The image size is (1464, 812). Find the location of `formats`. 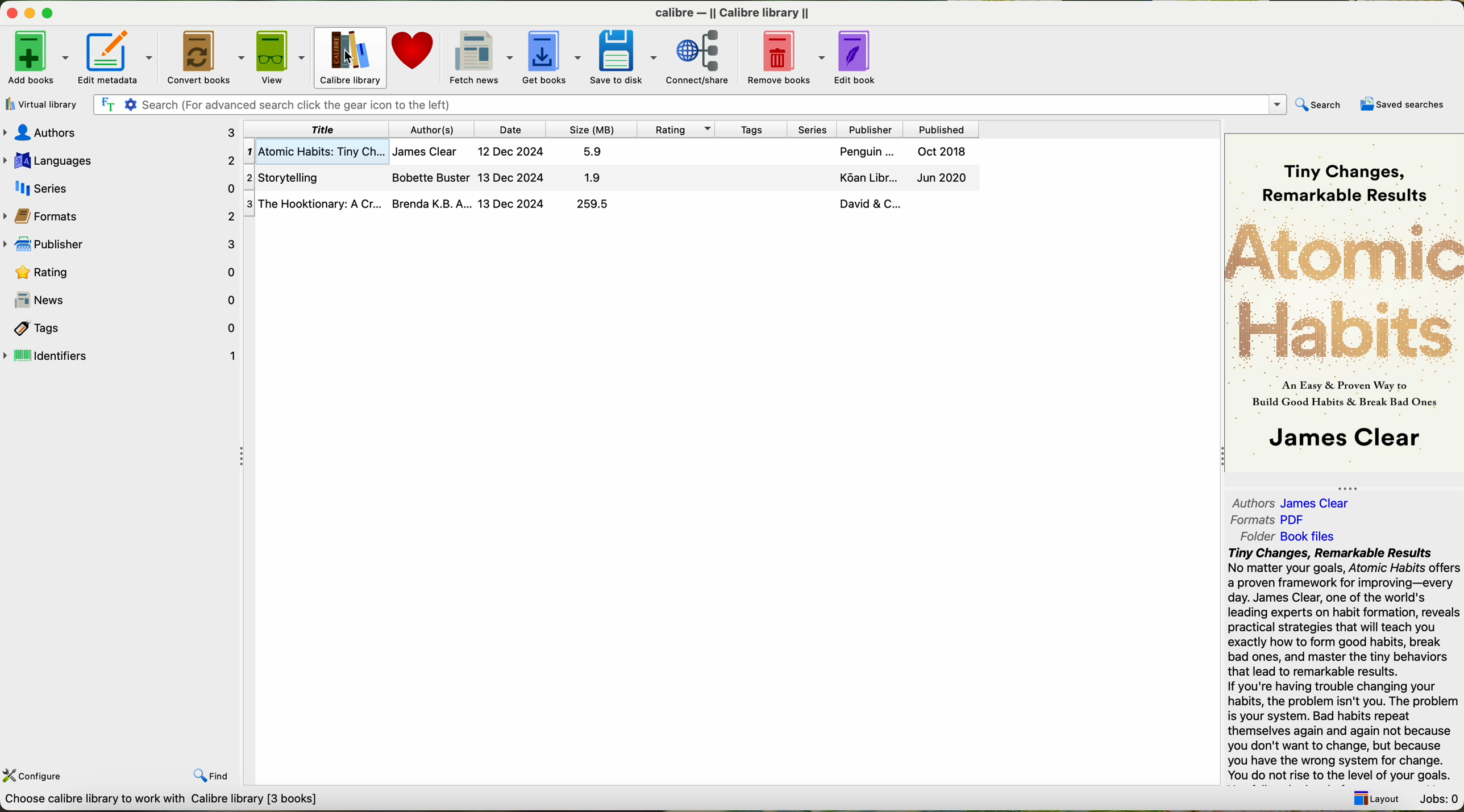

formats is located at coordinates (121, 215).